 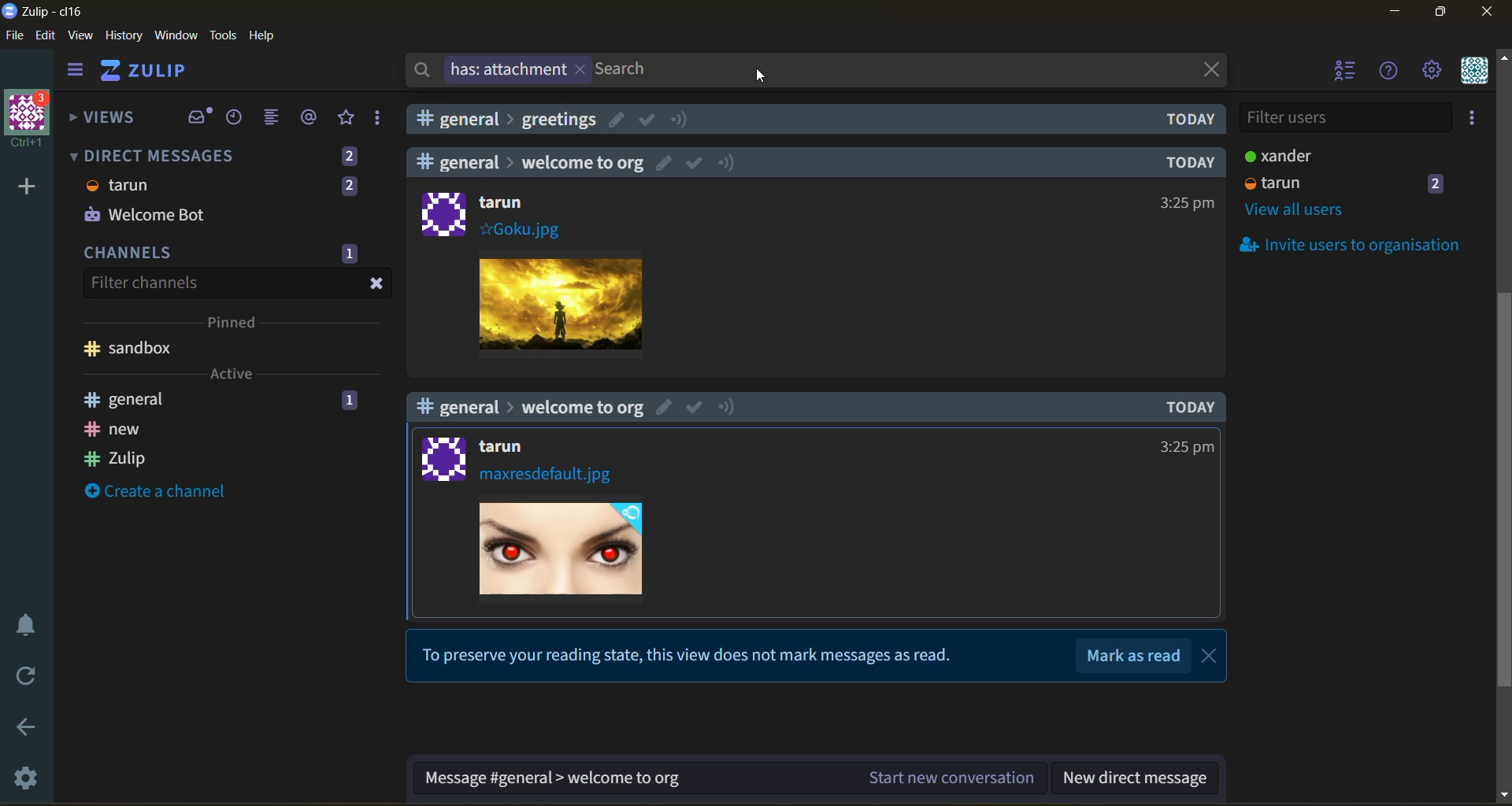 I want to click on combined feed, so click(x=274, y=118).